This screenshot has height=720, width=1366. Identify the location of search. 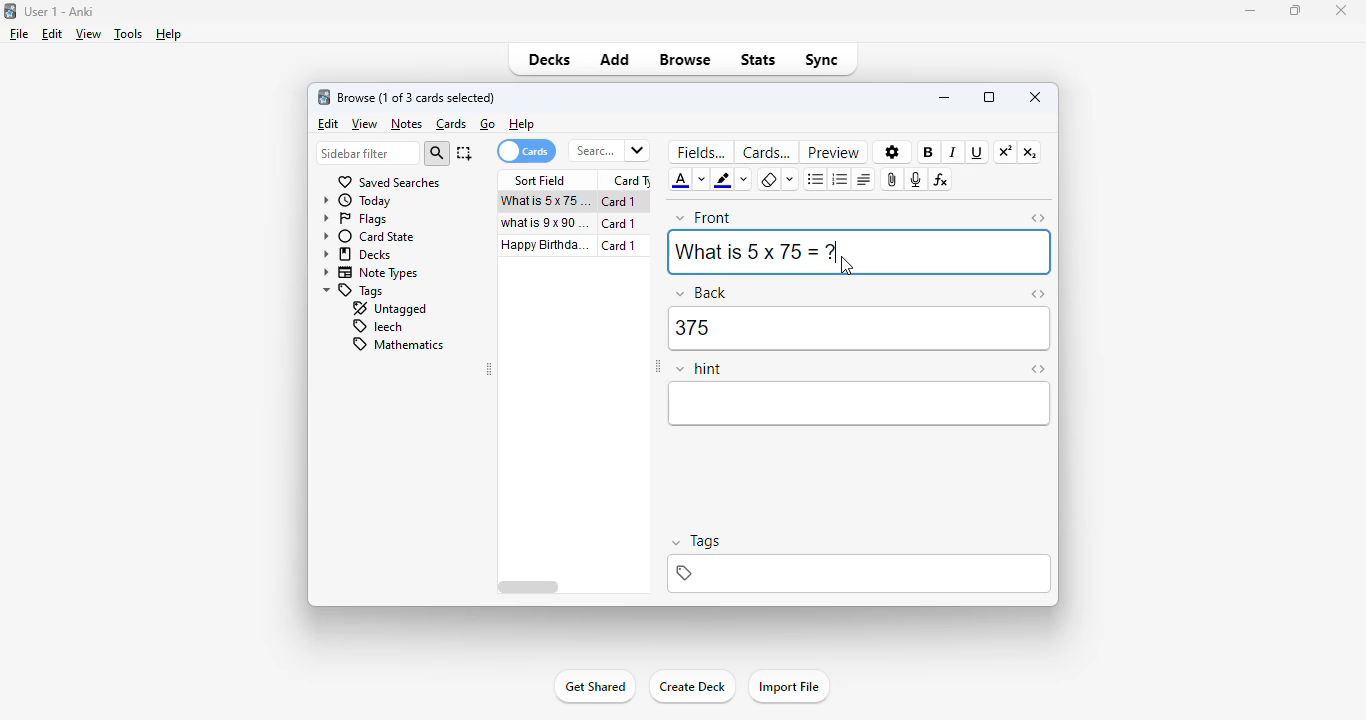
(437, 153).